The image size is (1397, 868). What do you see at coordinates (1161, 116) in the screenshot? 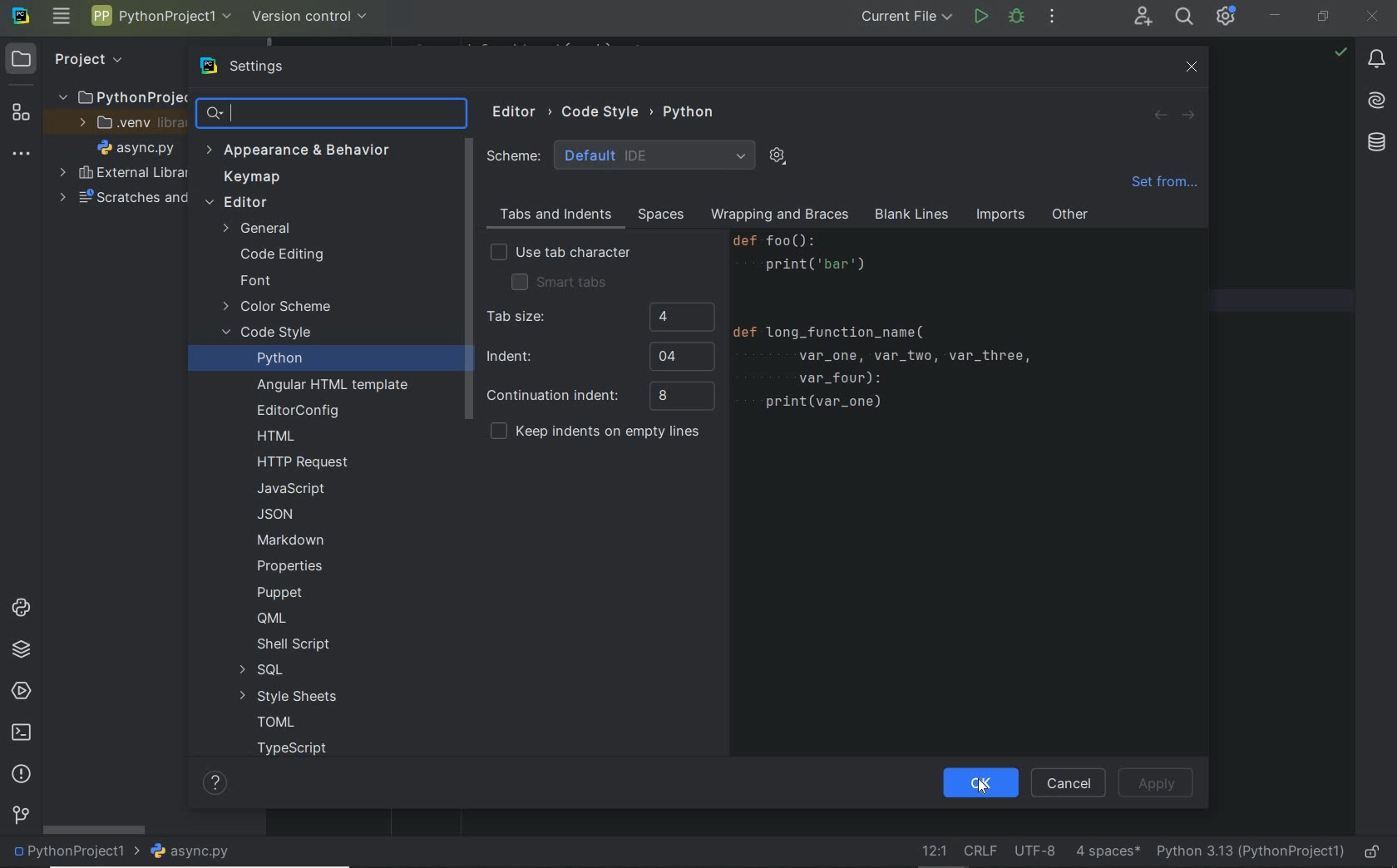
I see `back` at bounding box center [1161, 116].